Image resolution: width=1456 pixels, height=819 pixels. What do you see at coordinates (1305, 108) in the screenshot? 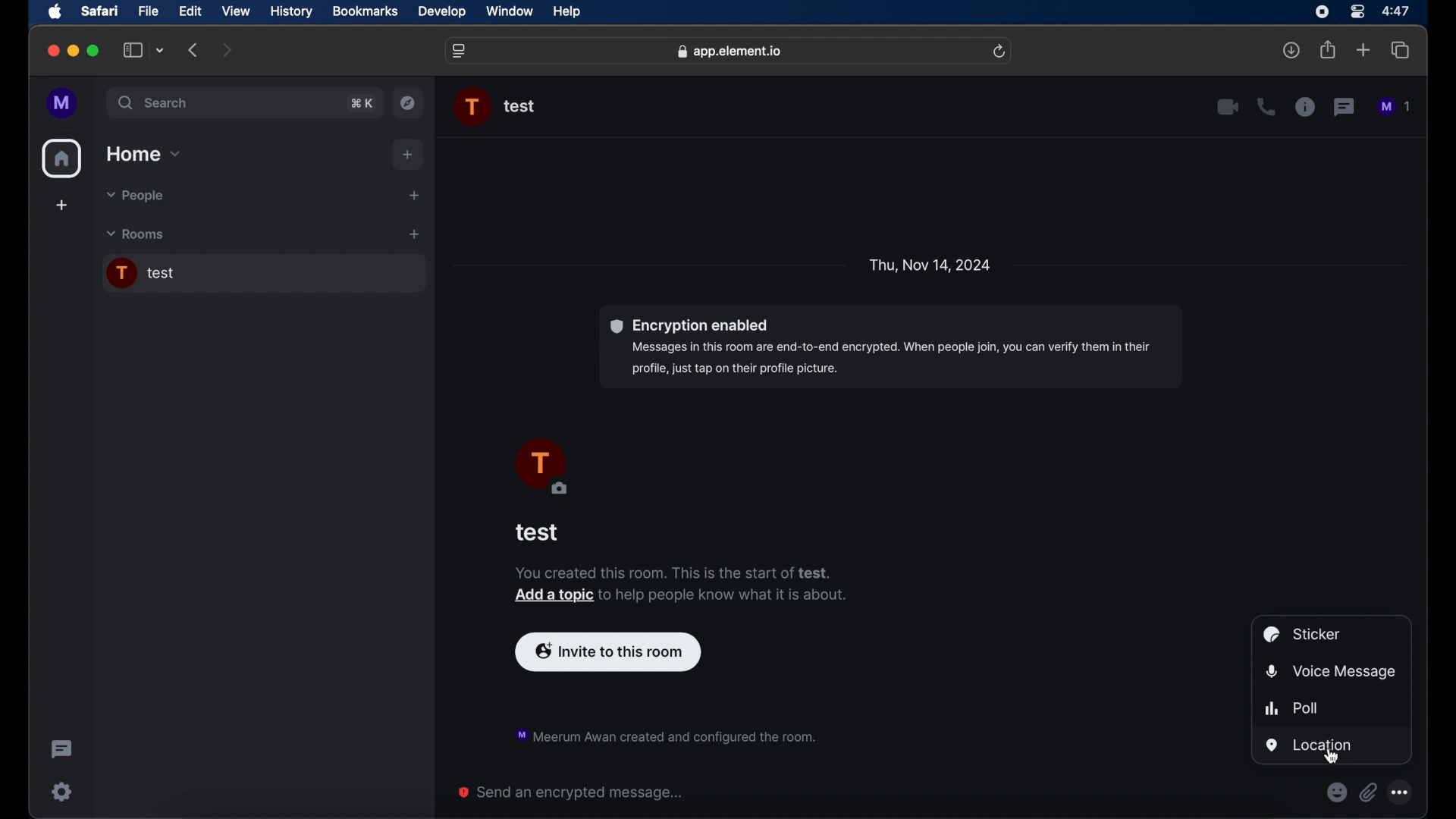
I see `chat properties` at bounding box center [1305, 108].